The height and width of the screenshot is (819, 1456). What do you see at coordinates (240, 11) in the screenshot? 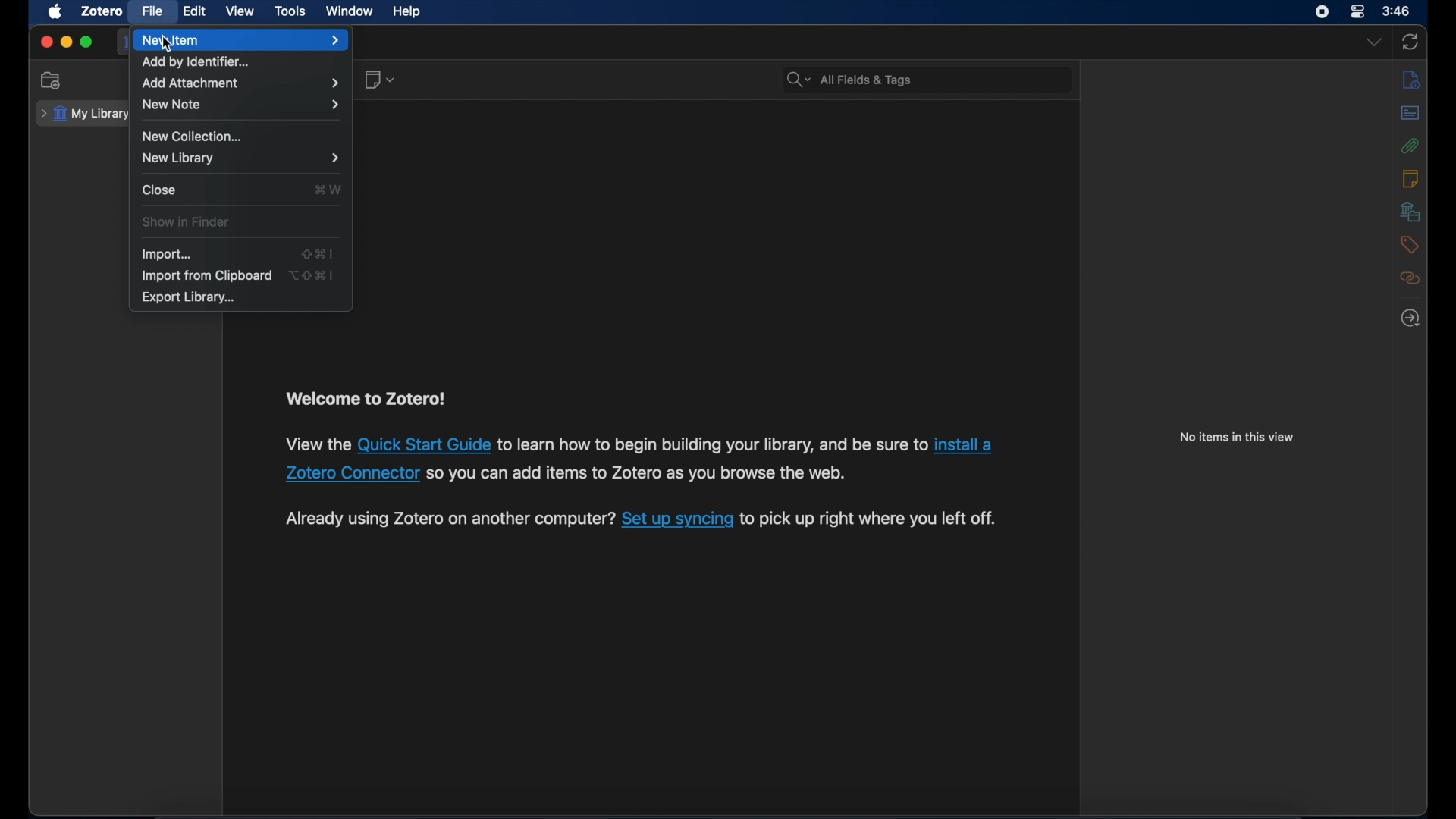
I see `view` at bounding box center [240, 11].